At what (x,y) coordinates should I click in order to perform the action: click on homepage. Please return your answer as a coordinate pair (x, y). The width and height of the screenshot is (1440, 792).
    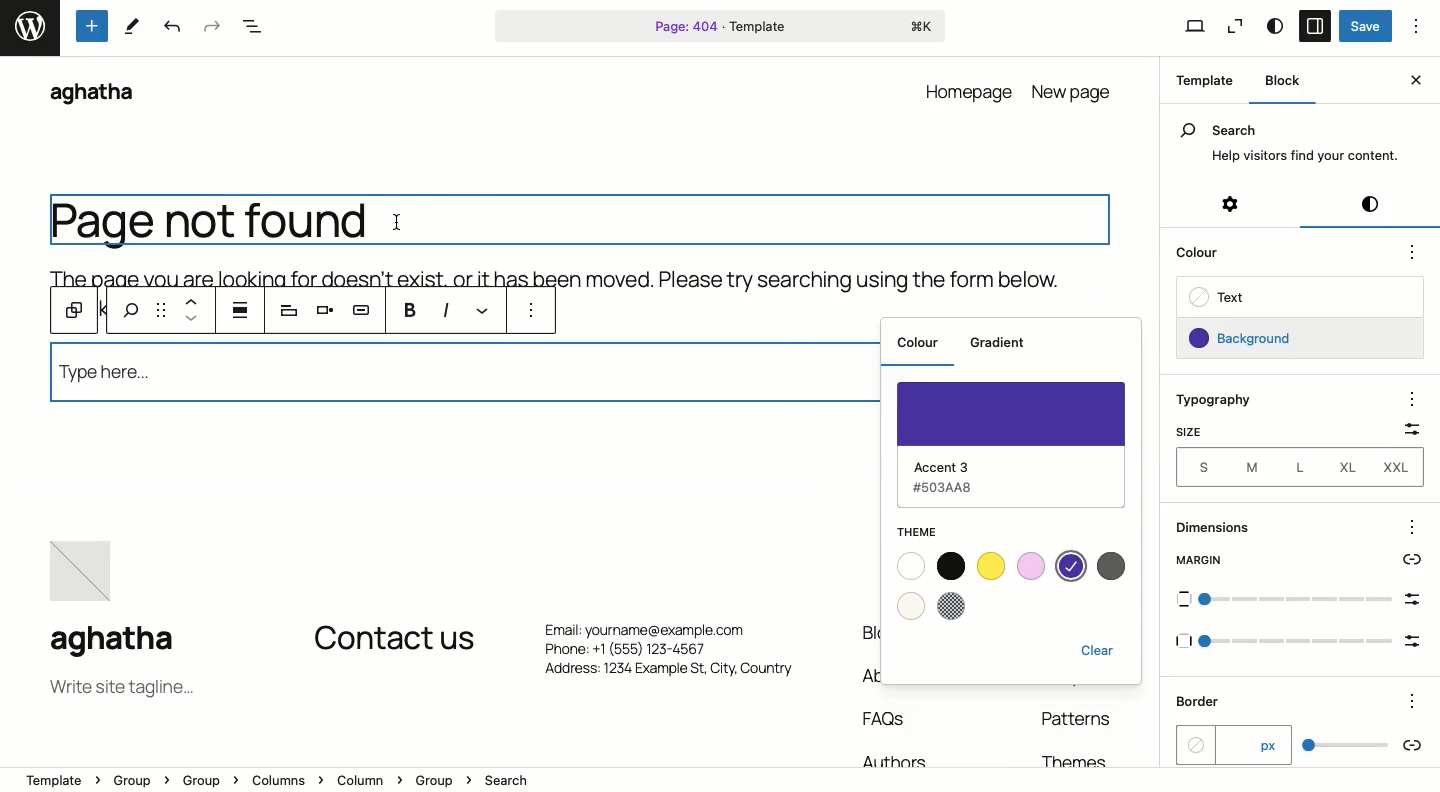
    Looking at the image, I should click on (970, 90).